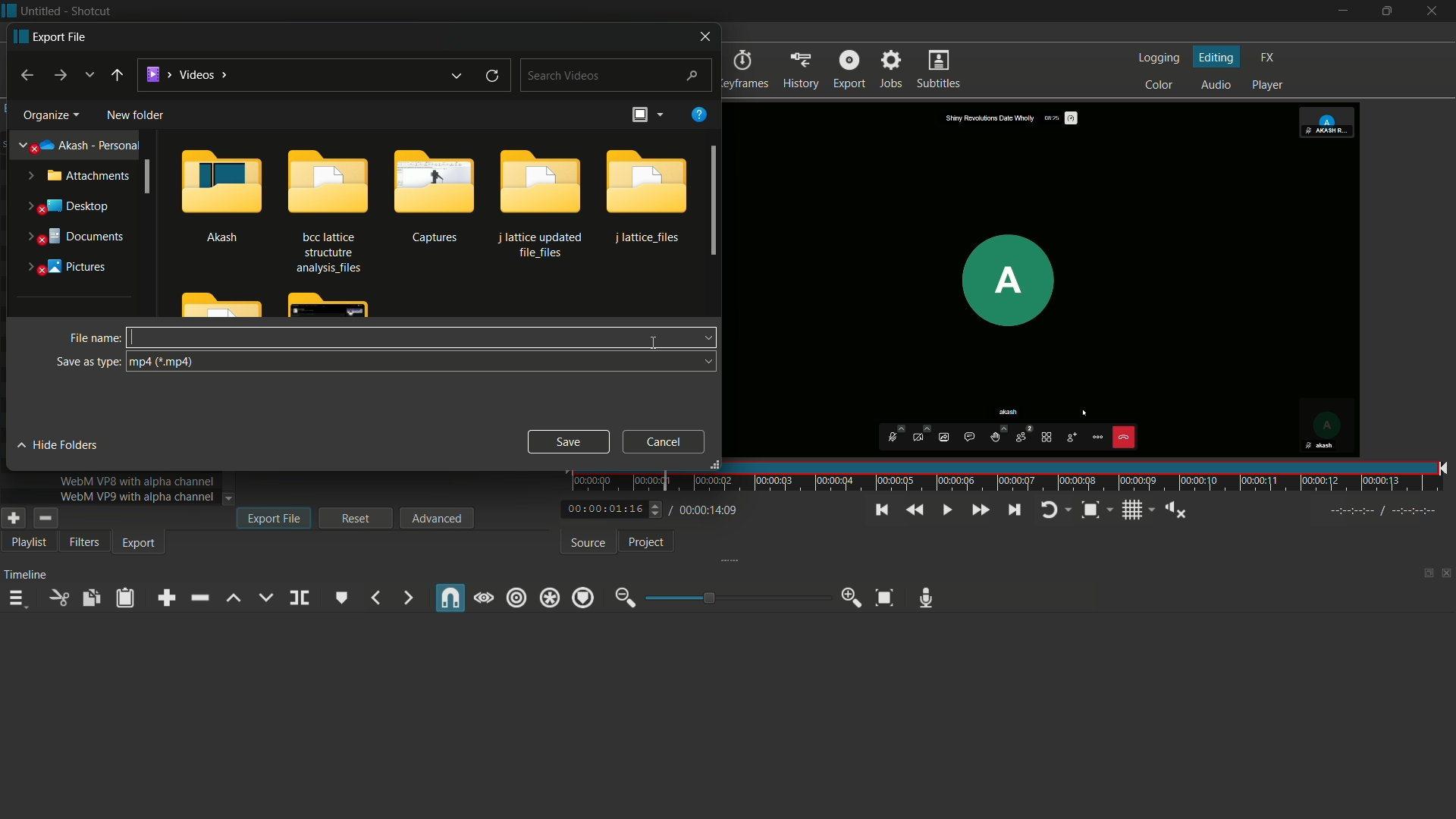  I want to click on export file, so click(274, 517).